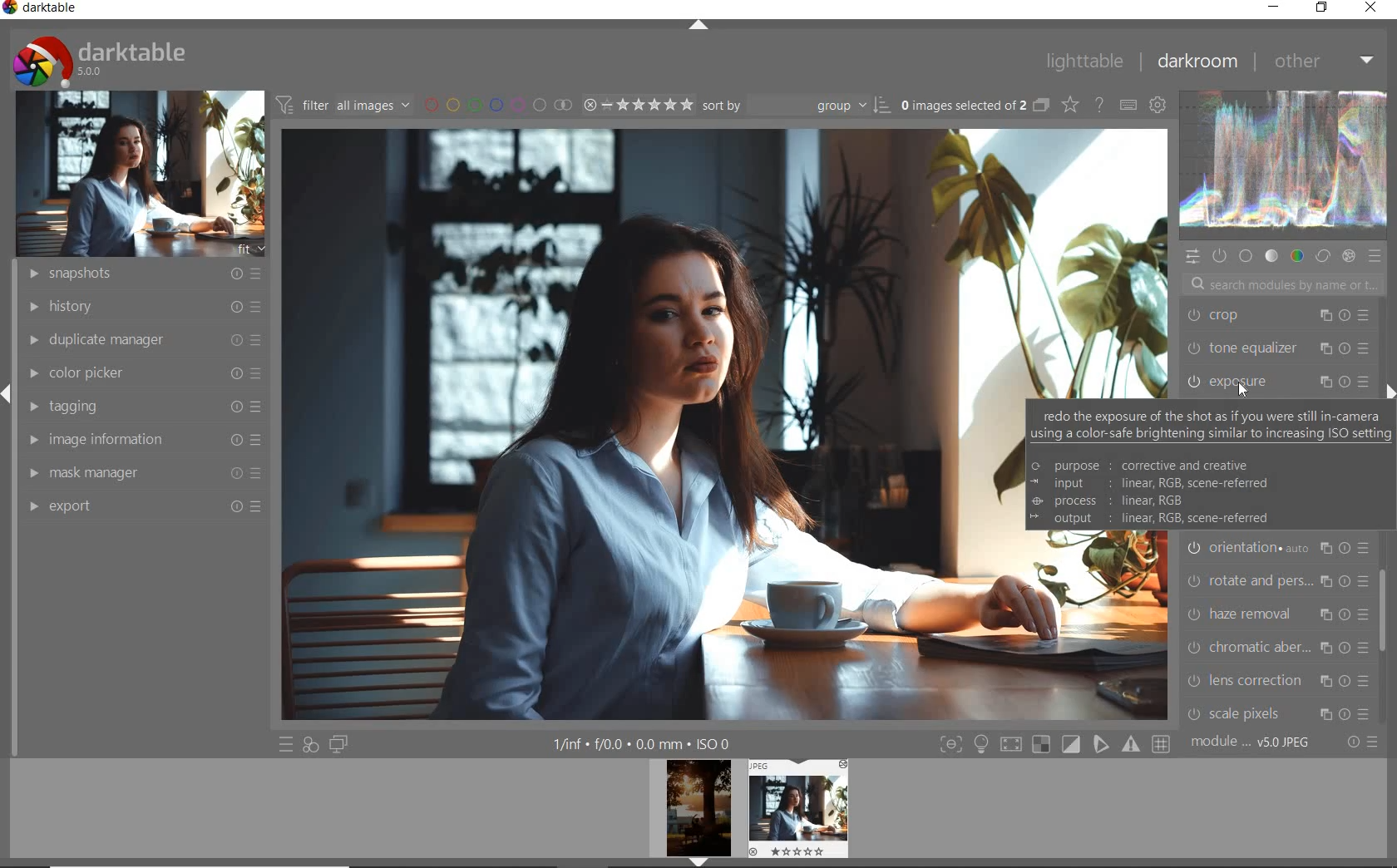 The height and width of the screenshot is (868, 1397). What do you see at coordinates (1389, 394) in the screenshot?
I see `EXPAND/COLLAPSE` at bounding box center [1389, 394].